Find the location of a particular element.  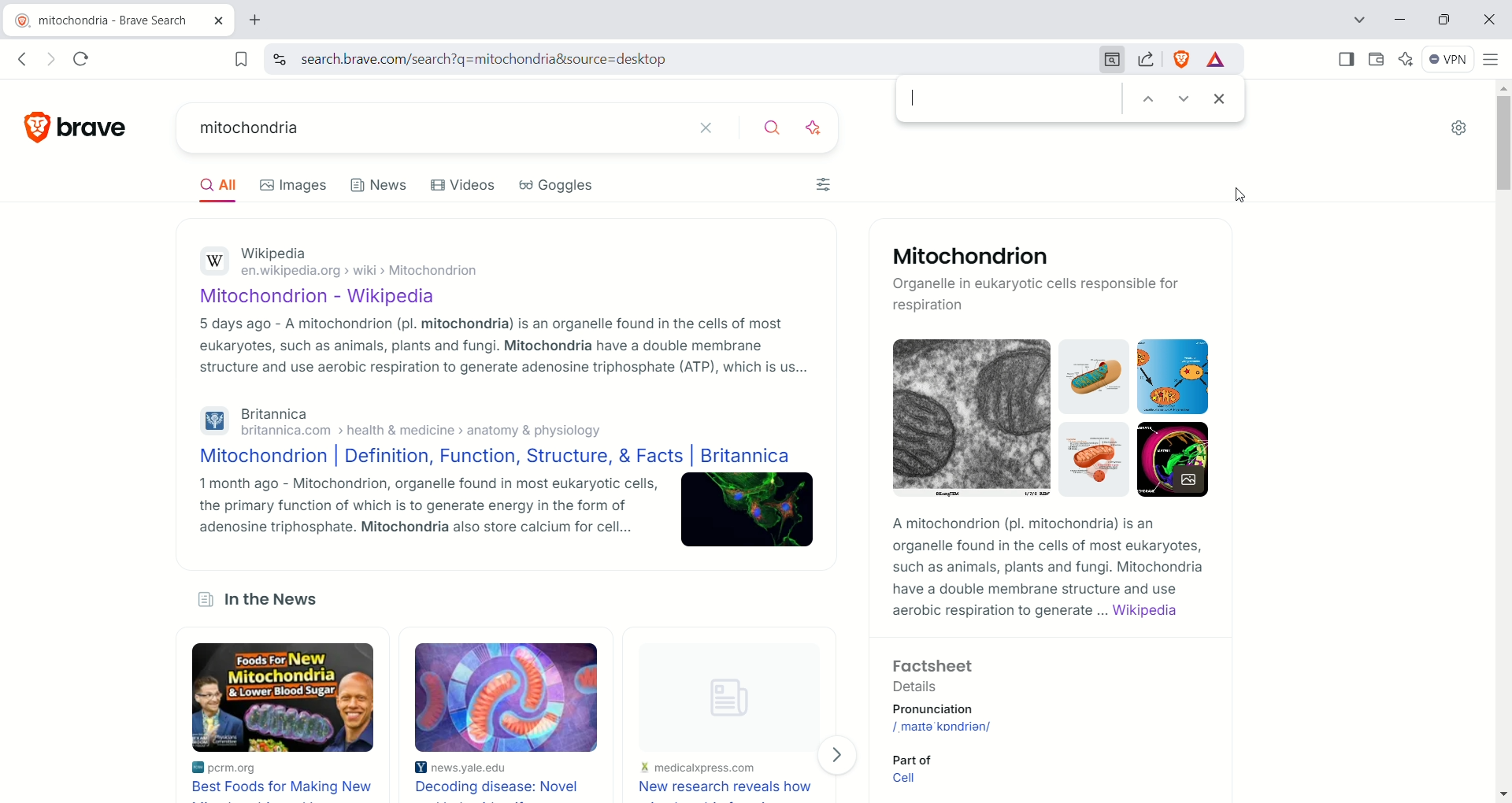

/, maIta' kondrian/ is located at coordinates (970, 727).